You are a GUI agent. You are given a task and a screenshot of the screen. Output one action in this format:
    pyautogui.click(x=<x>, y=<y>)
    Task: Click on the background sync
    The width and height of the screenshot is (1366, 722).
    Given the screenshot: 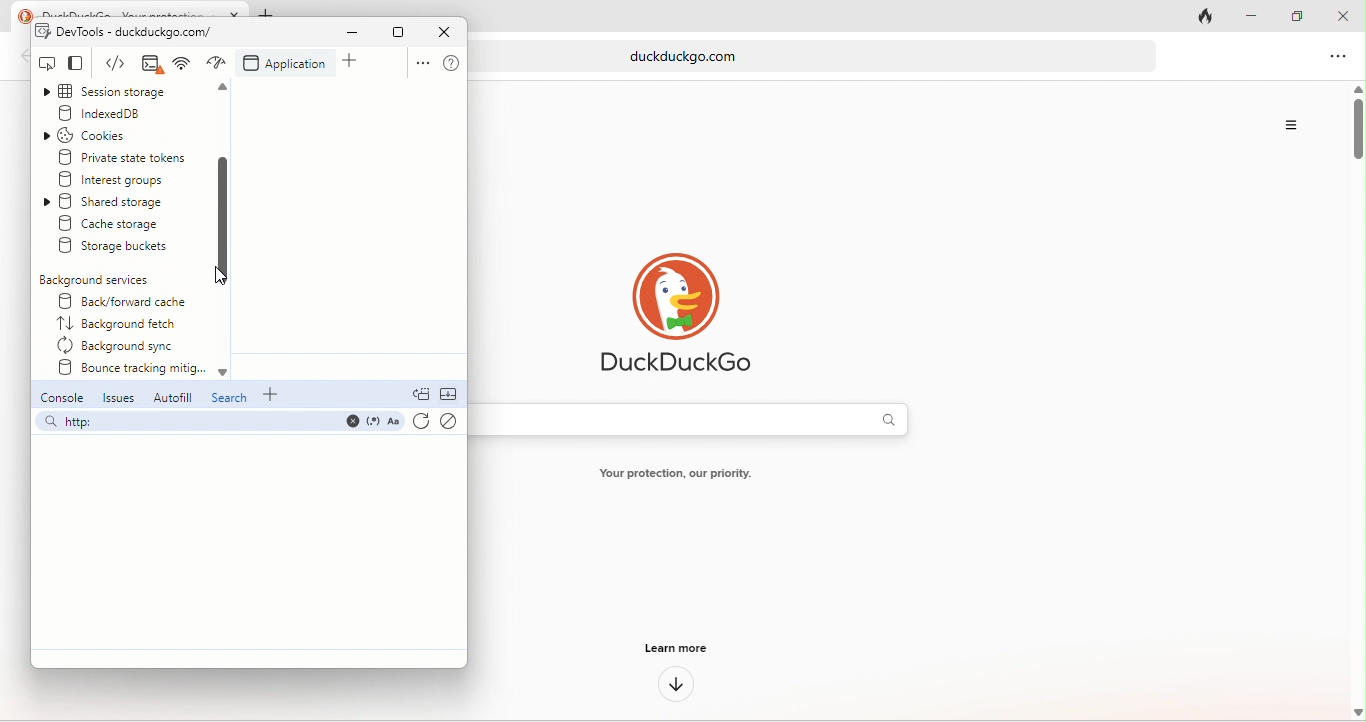 What is the action you would take?
    pyautogui.click(x=120, y=346)
    